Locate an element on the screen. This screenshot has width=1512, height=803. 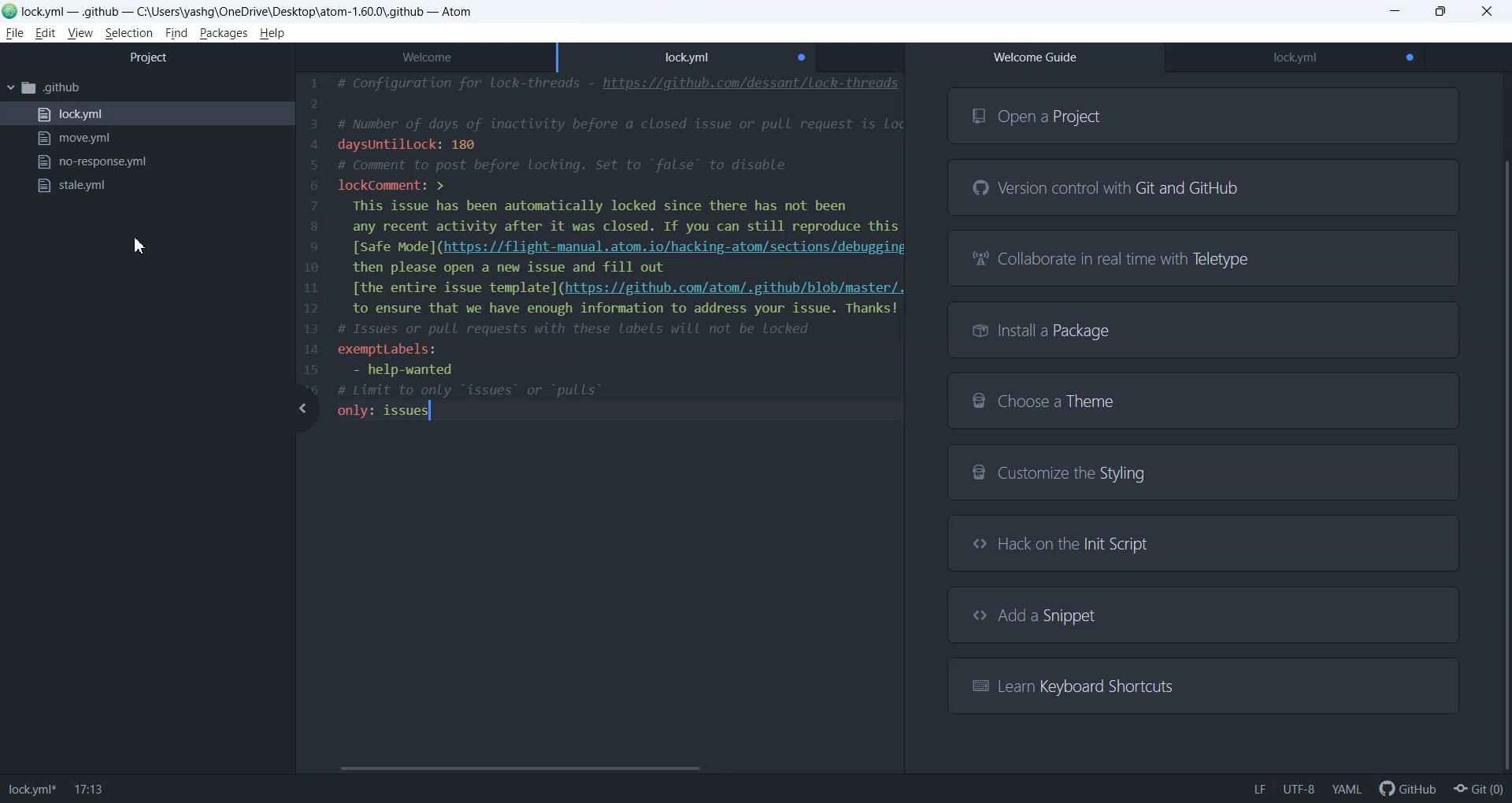
Git (0) is located at coordinates (1479, 789).